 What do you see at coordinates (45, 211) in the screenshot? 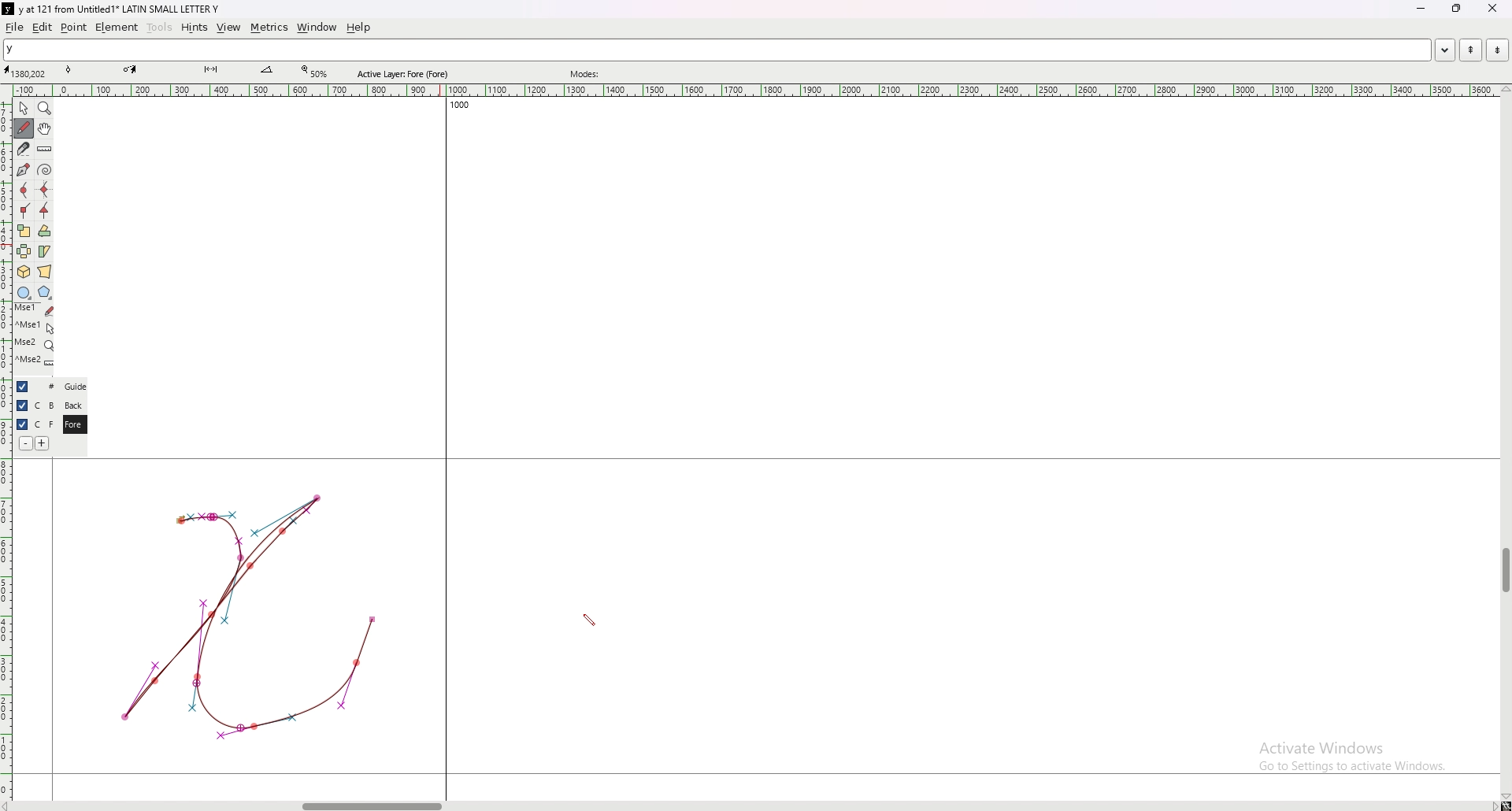
I see `add a tangent point` at bounding box center [45, 211].